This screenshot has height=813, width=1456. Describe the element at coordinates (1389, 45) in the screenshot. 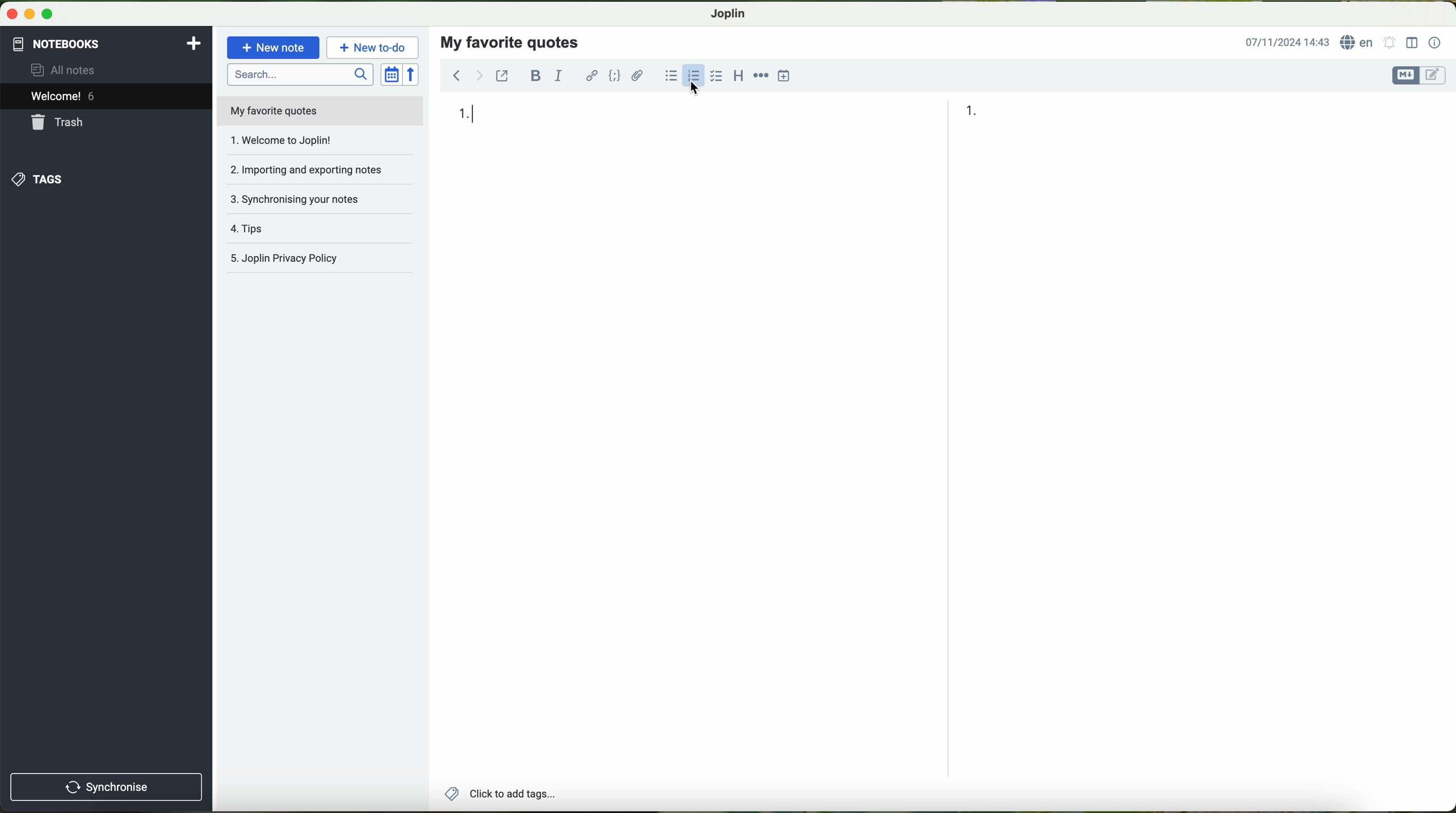

I see `set alarm` at that location.